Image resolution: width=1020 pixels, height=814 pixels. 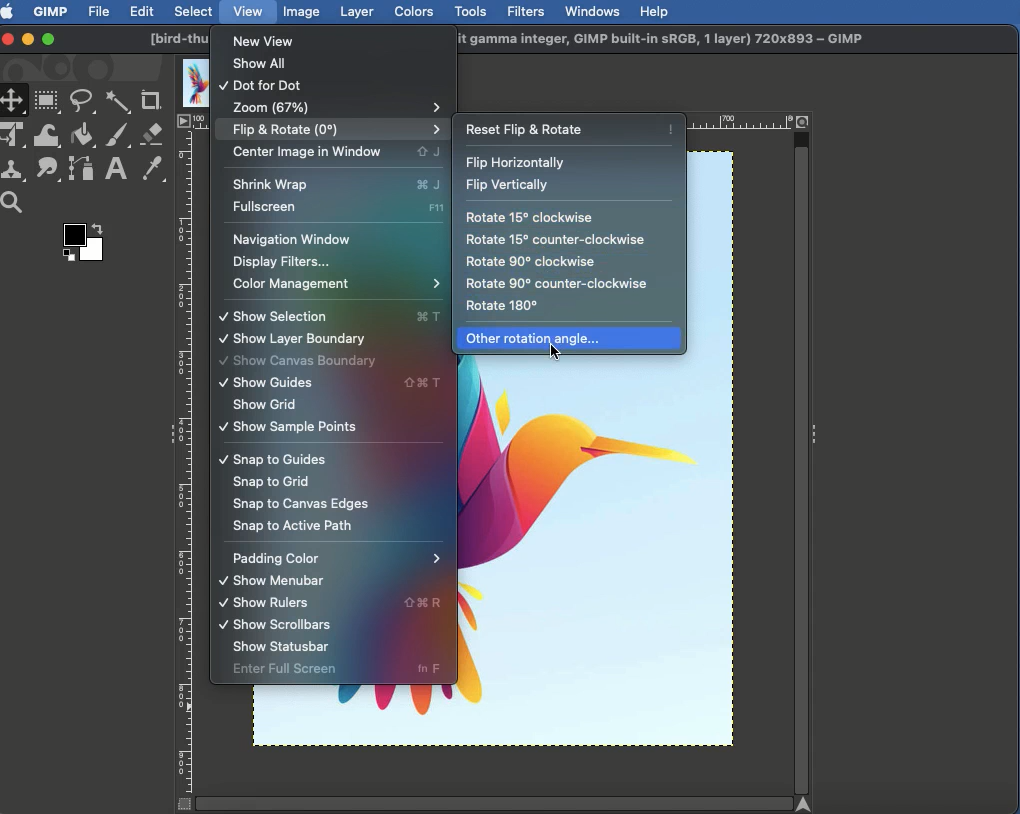 What do you see at coordinates (167, 436) in the screenshot?
I see `Show sidebar menu` at bounding box center [167, 436].